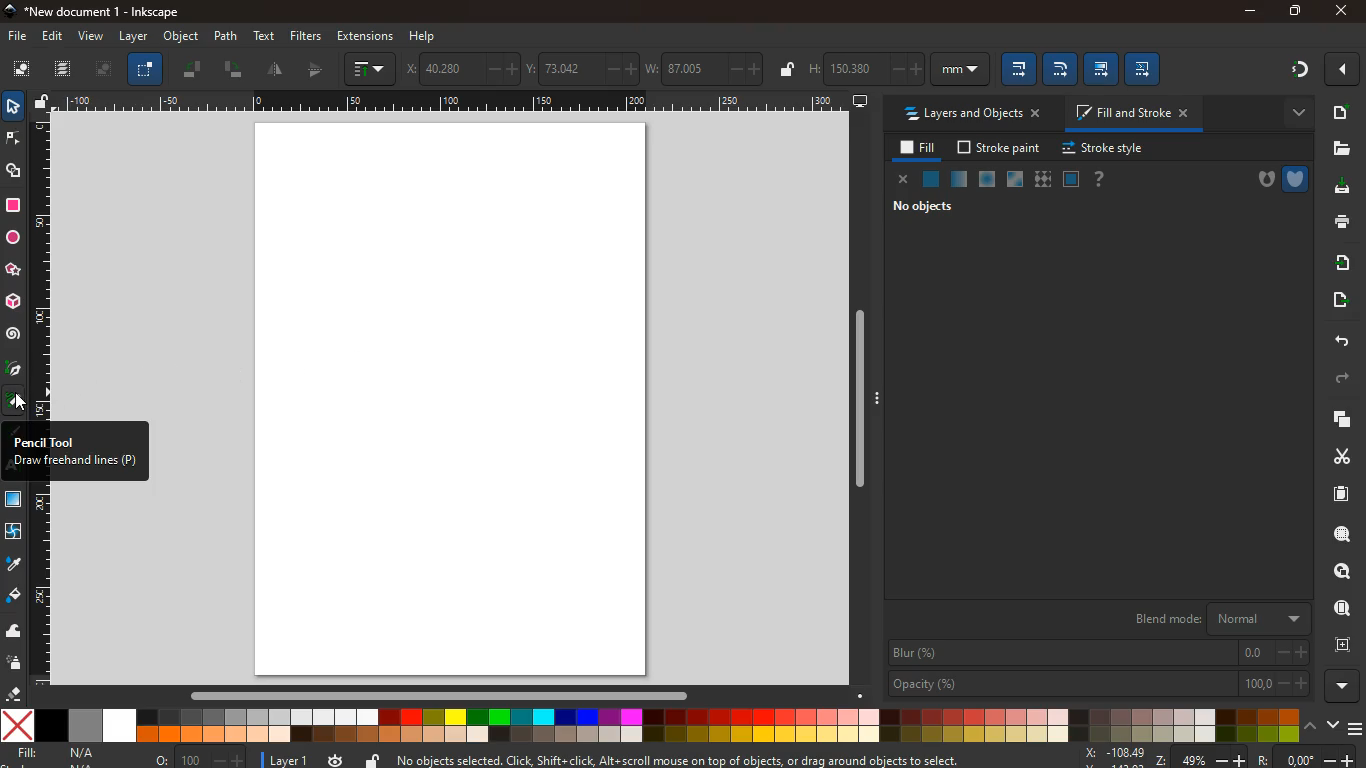 The image size is (1366, 768). I want to click on screen, so click(861, 100).